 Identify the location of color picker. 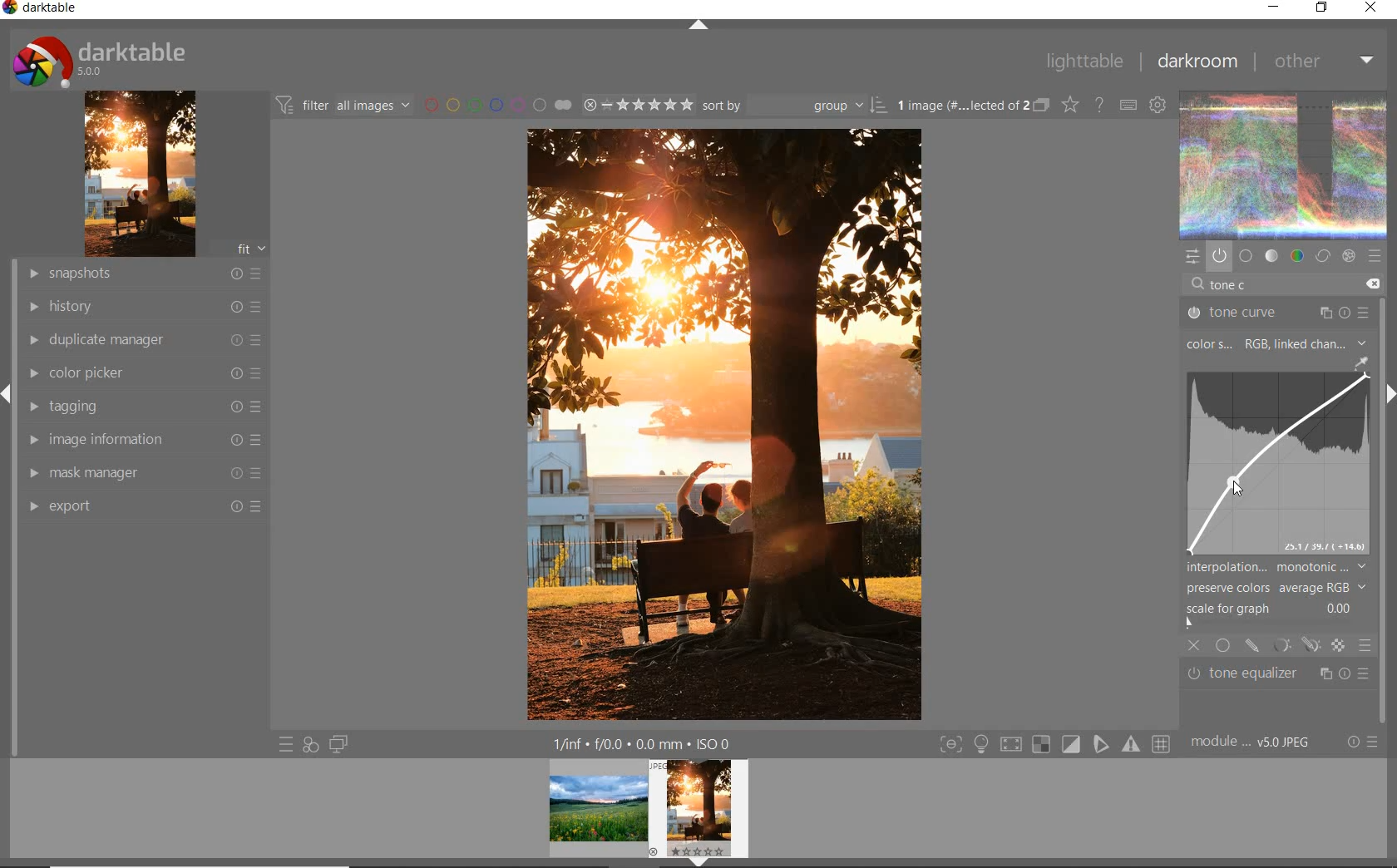
(140, 372).